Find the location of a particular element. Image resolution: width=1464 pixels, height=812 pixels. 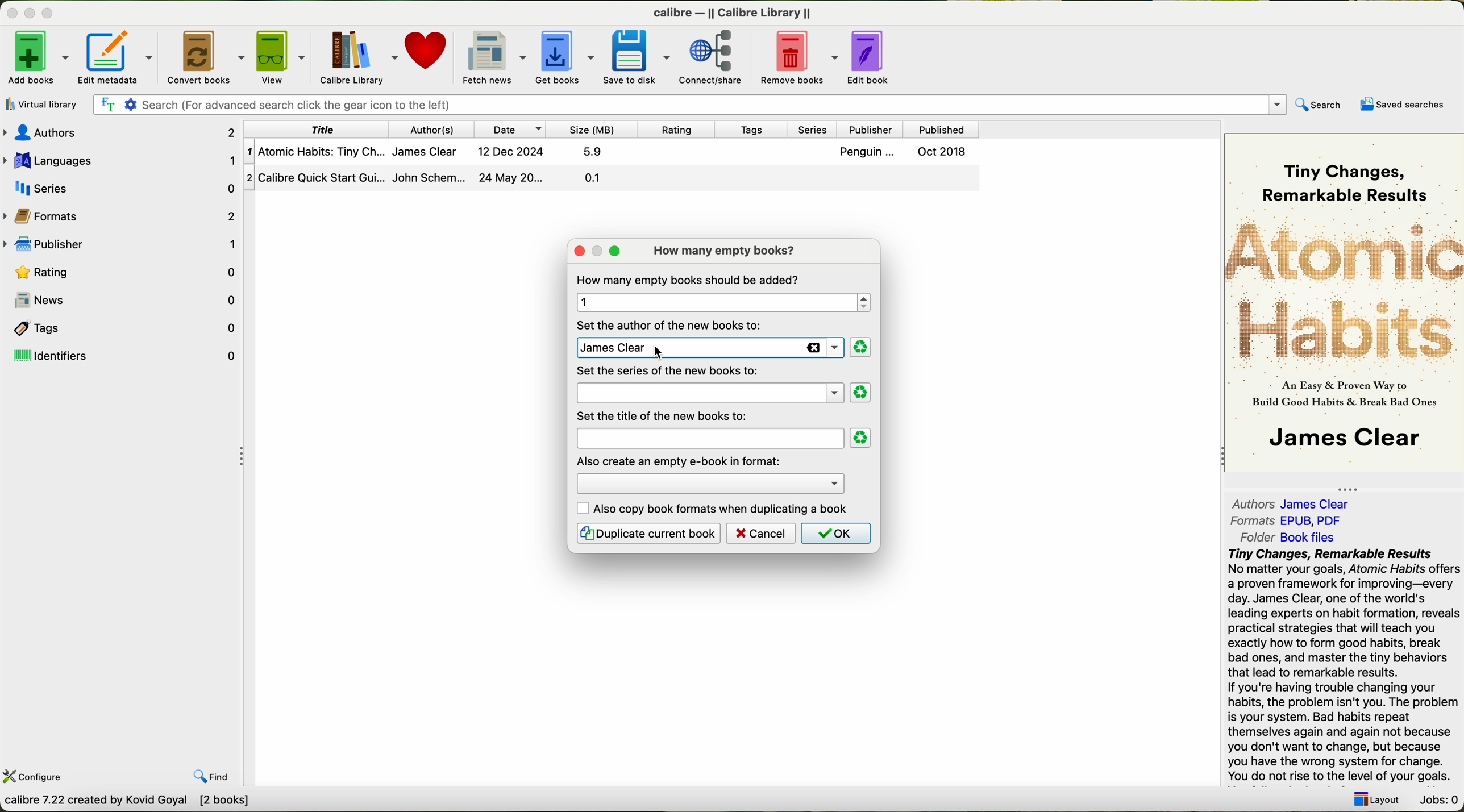

view is located at coordinates (279, 56).